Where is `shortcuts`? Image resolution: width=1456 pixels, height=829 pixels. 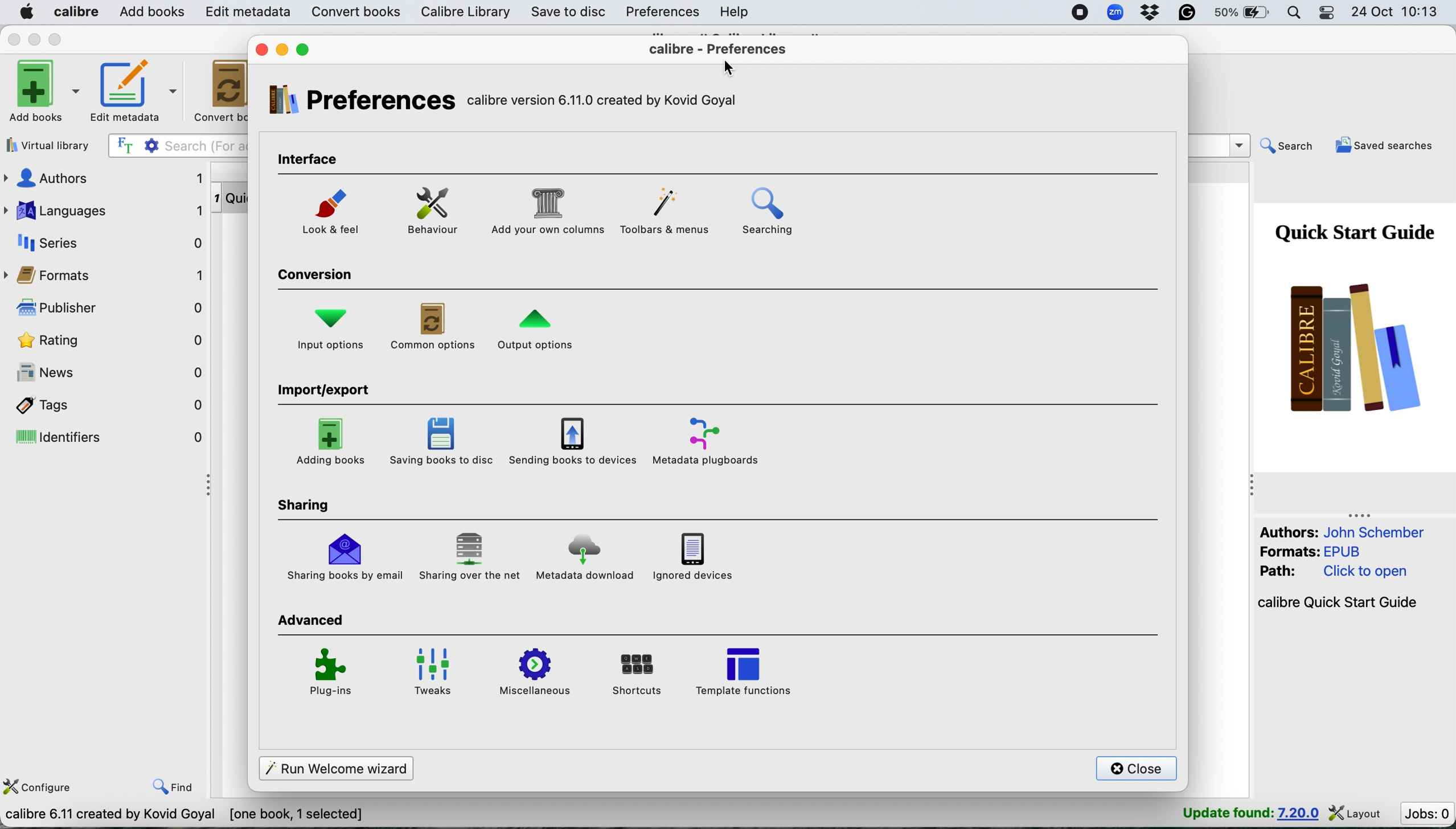 shortcuts is located at coordinates (642, 669).